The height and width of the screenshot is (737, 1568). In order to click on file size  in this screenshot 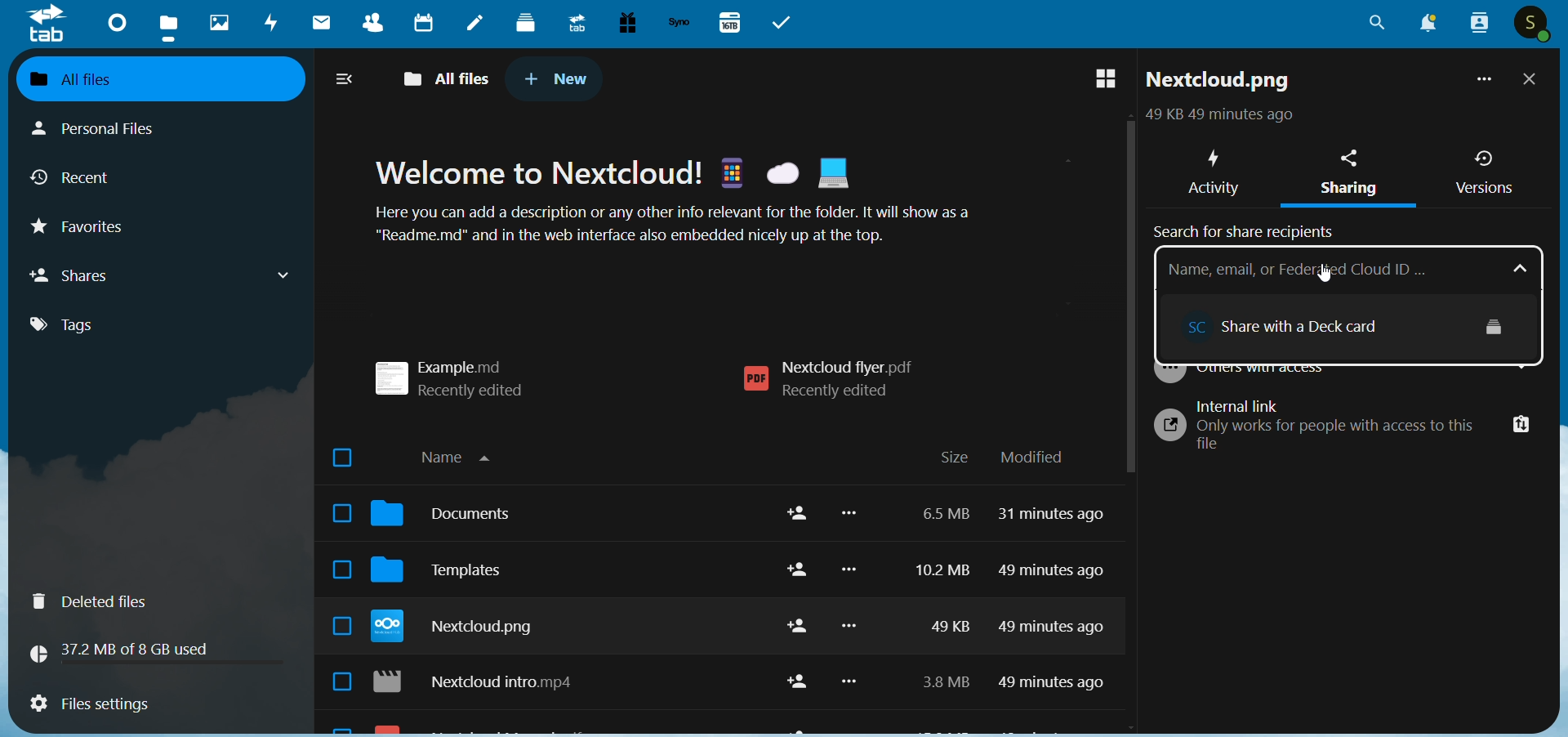, I will do `click(938, 603)`.